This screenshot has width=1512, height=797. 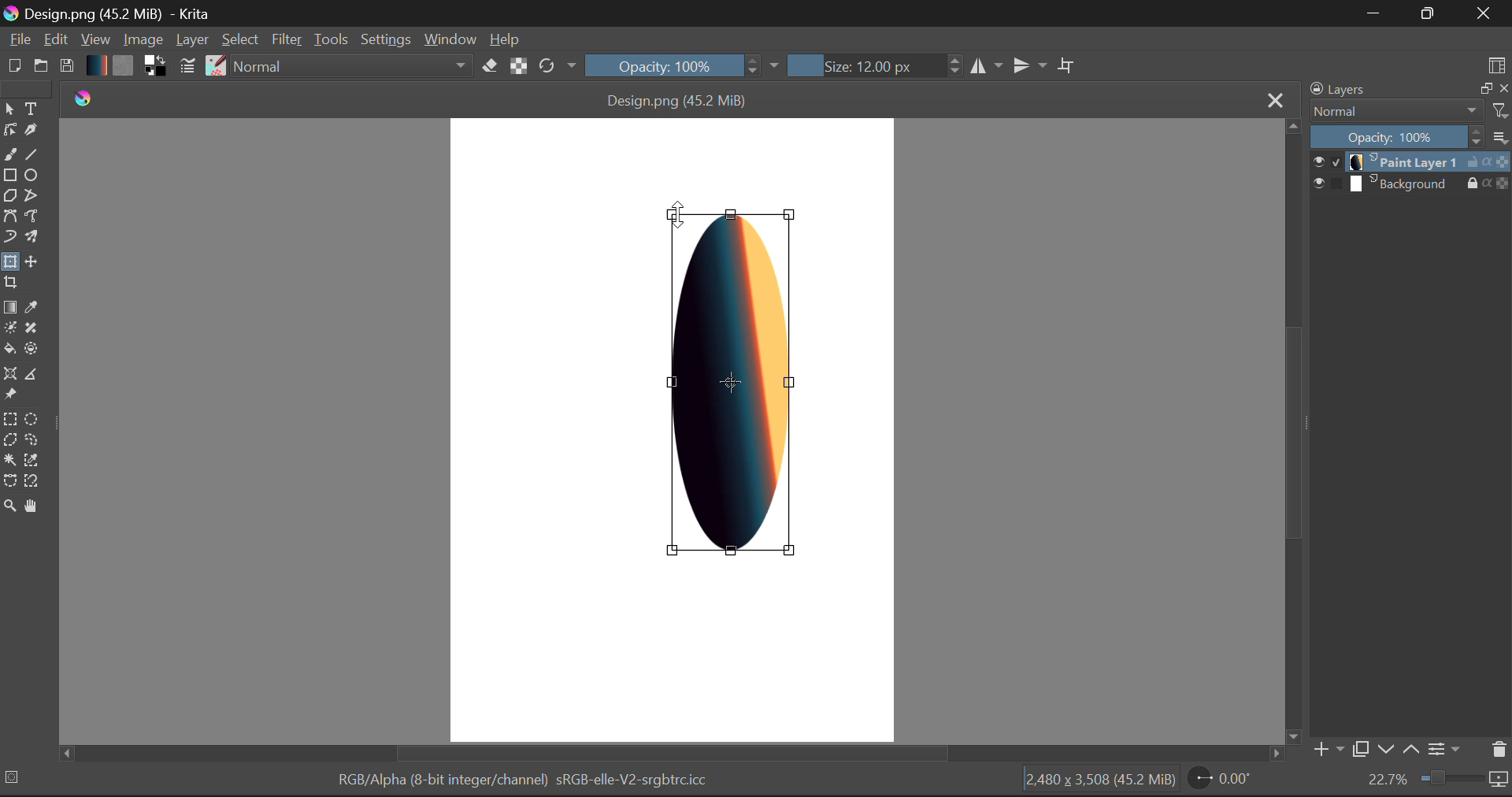 I want to click on Edit, so click(x=55, y=39).